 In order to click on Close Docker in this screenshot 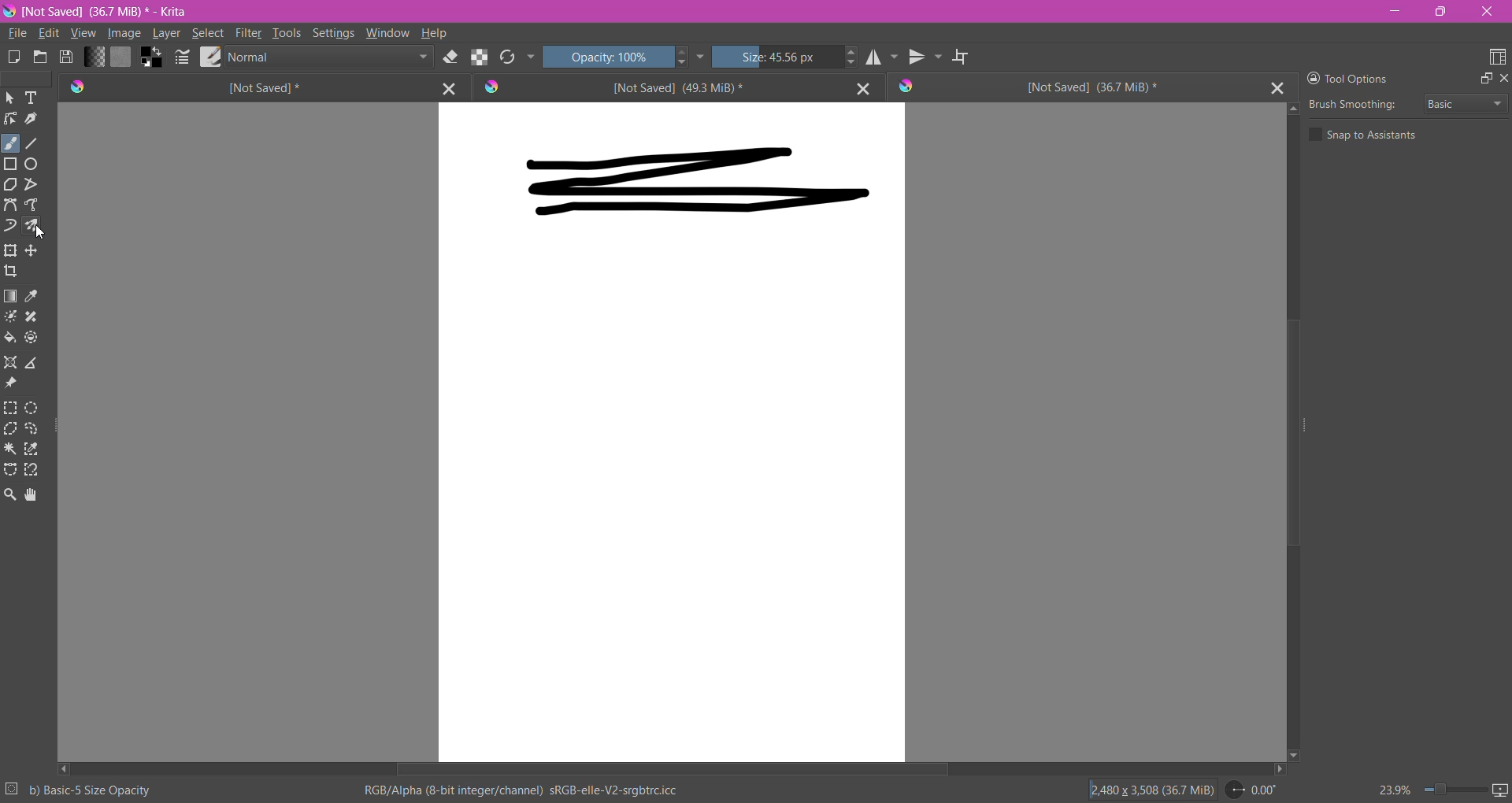, I will do `click(1503, 80)`.